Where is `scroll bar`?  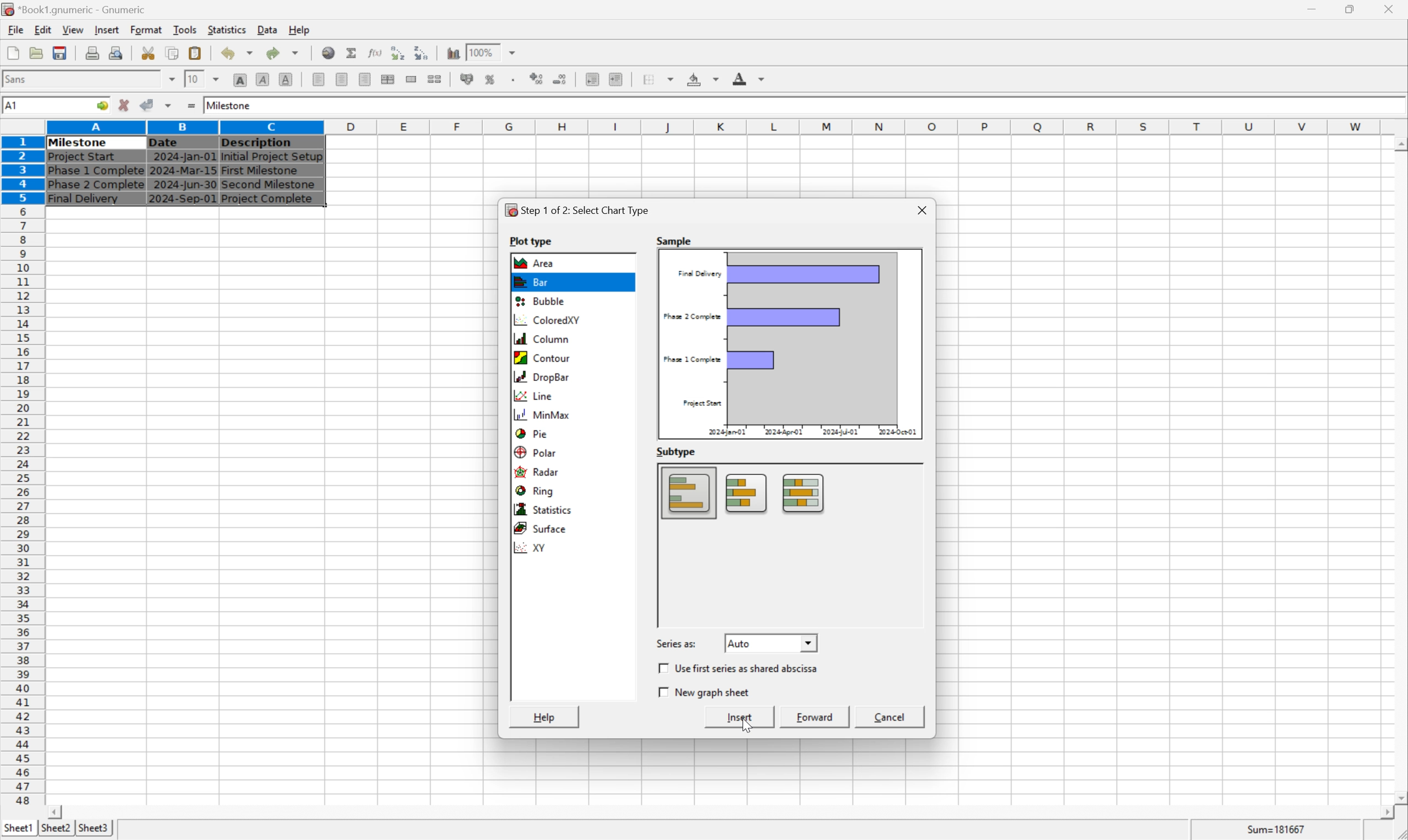 scroll bar is located at coordinates (720, 812).